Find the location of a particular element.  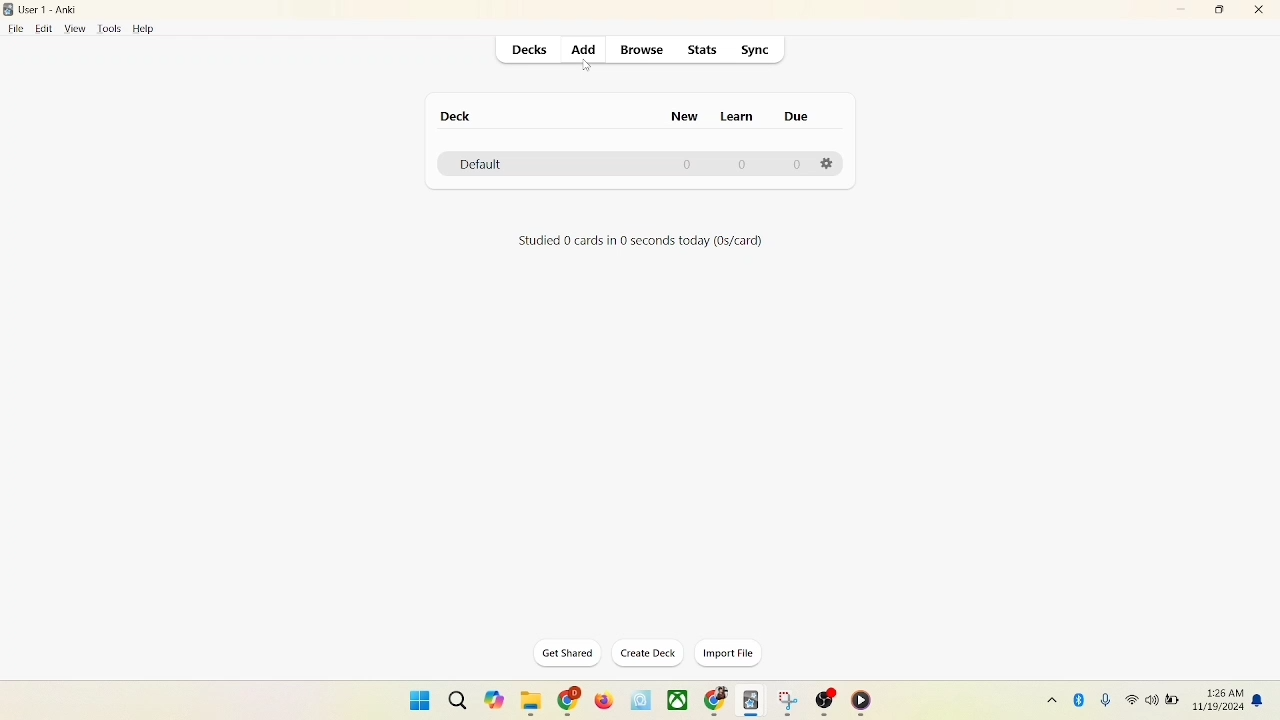

help is located at coordinates (144, 29).